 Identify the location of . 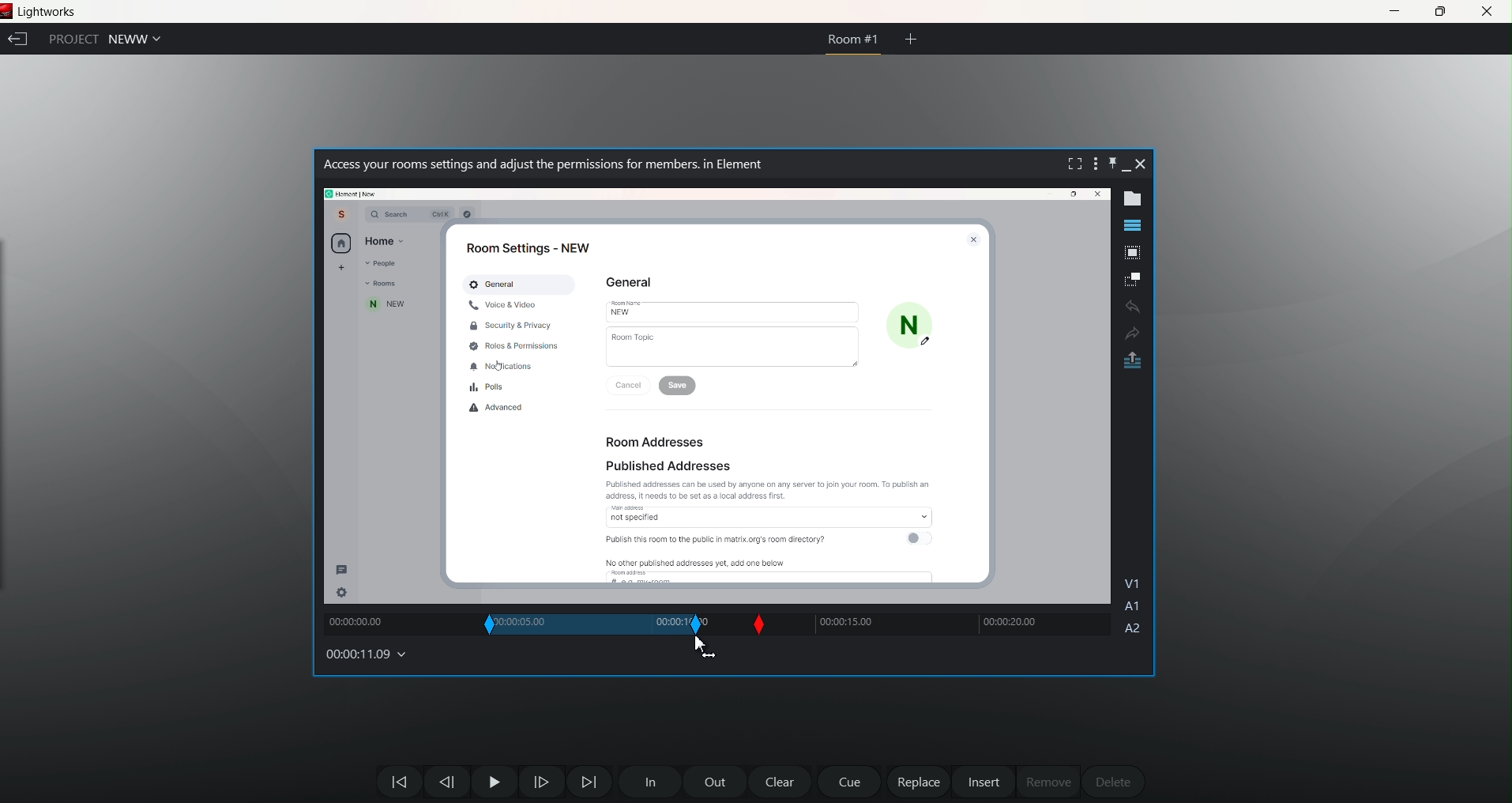
(470, 213).